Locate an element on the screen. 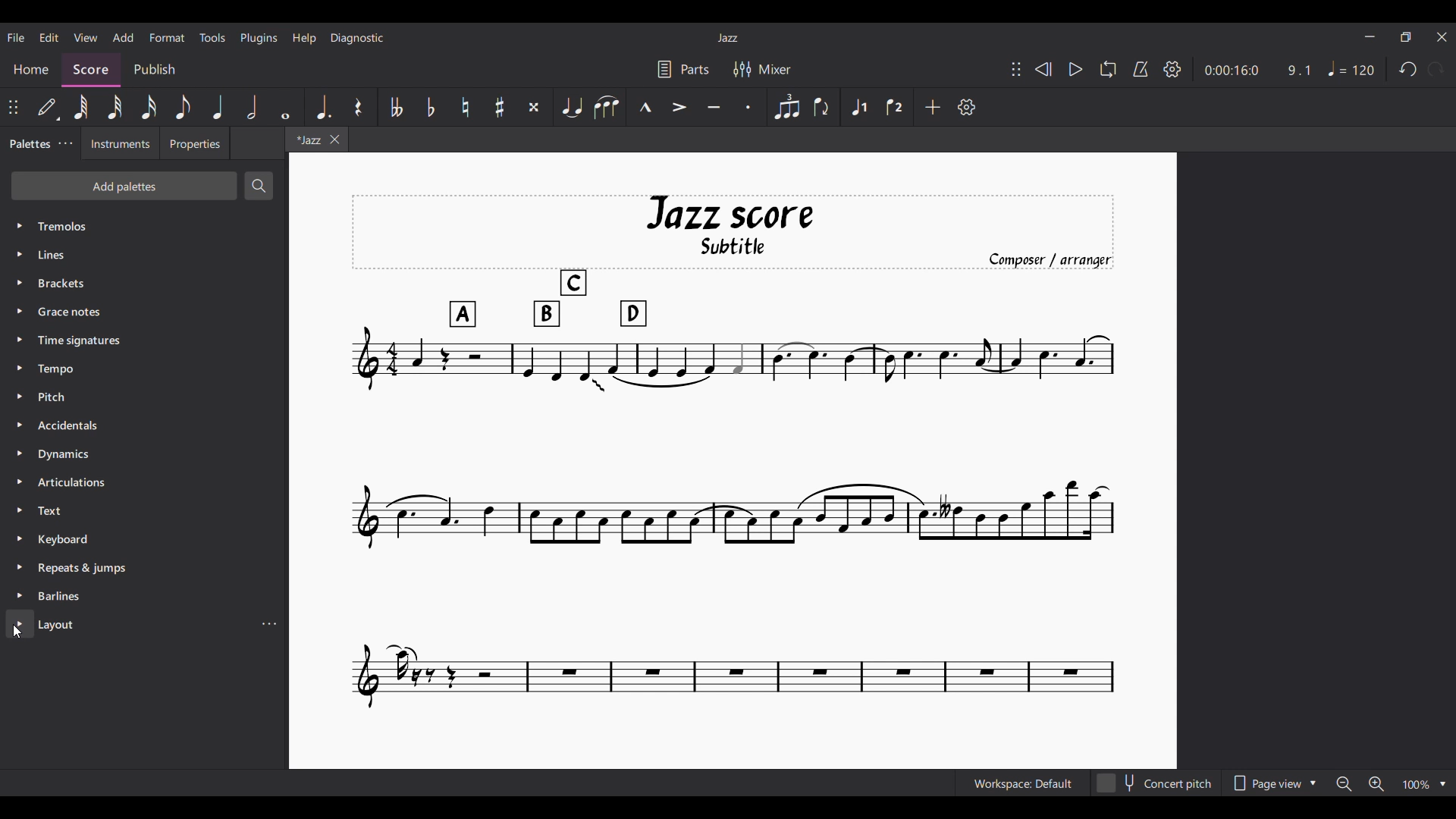 The width and height of the screenshot is (1456, 819). Change position is located at coordinates (1016, 69).